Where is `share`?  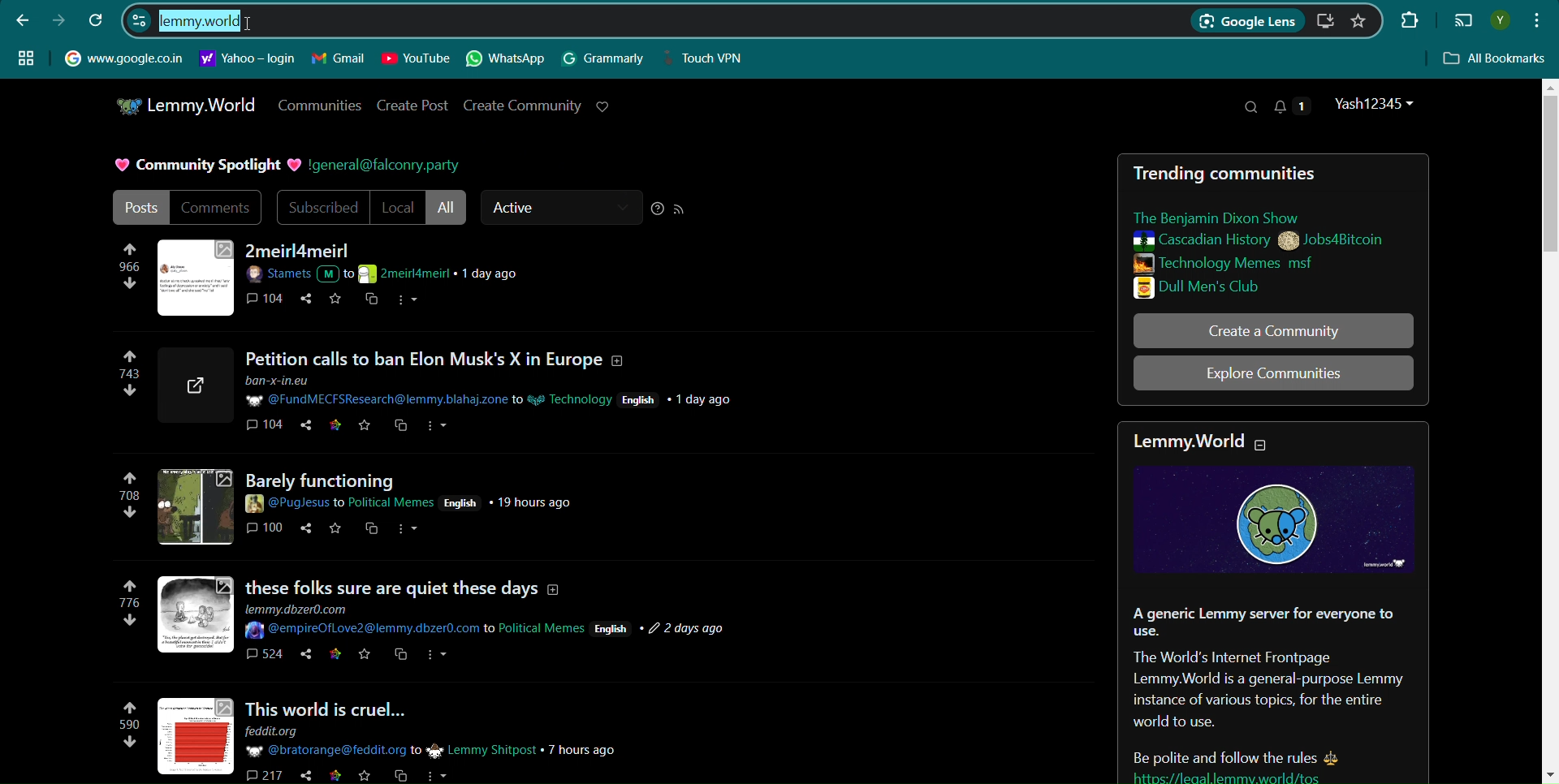 share is located at coordinates (306, 302).